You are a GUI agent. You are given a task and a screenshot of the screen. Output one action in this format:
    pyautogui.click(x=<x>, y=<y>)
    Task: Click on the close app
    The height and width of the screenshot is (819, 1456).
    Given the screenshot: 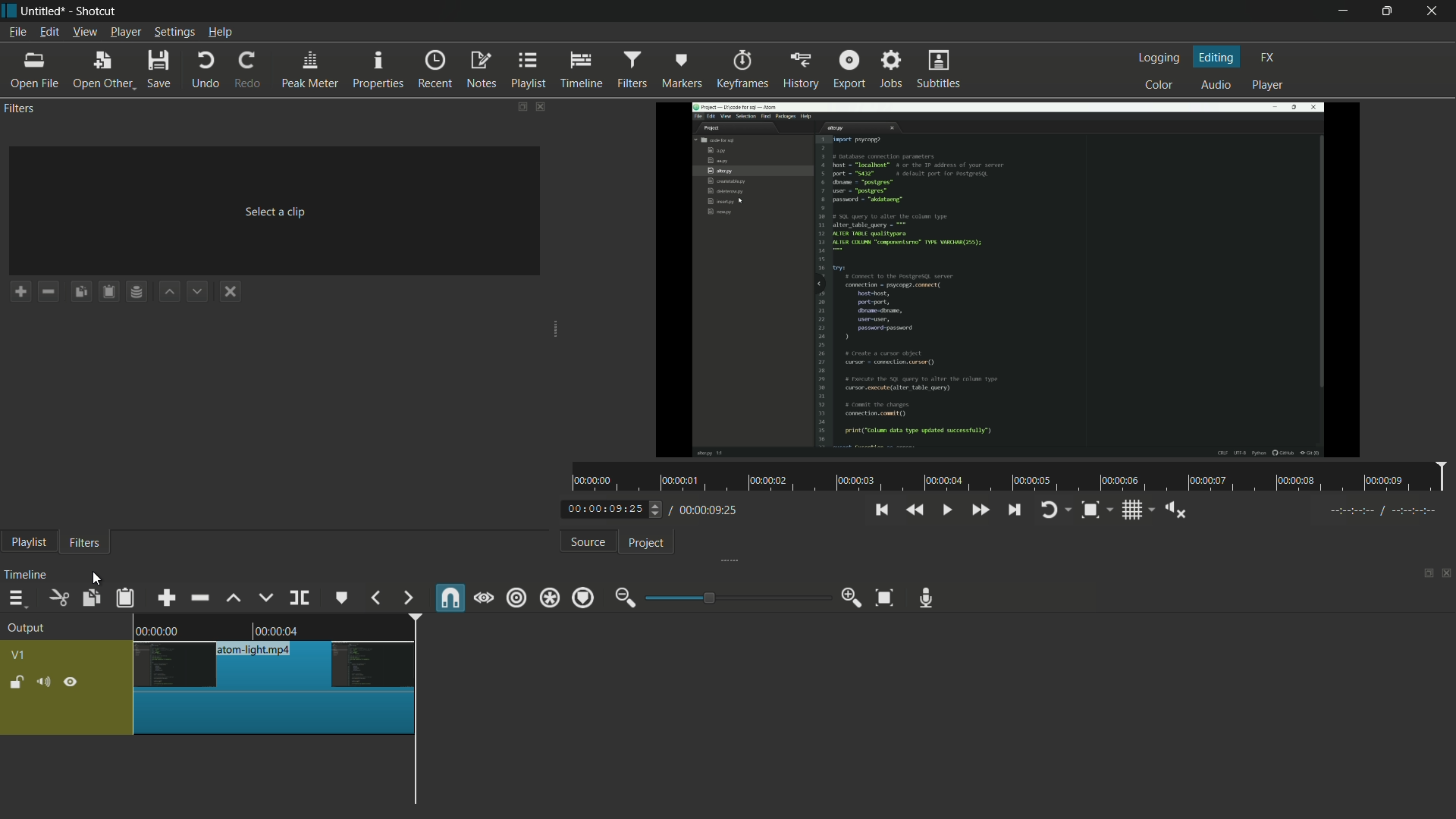 What is the action you would take?
    pyautogui.click(x=1437, y=11)
    